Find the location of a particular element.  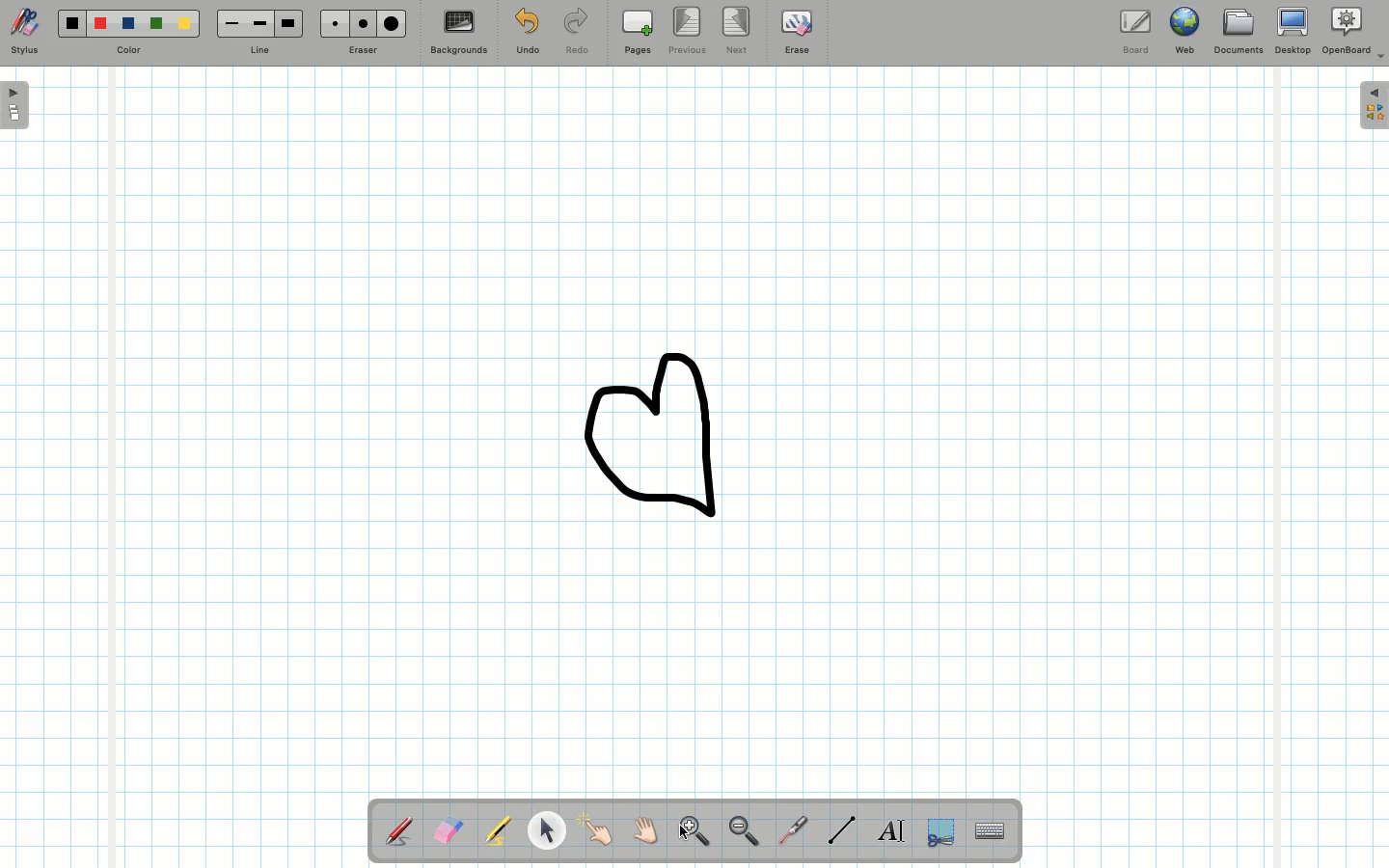

Open board is located at coordinates (15, 107).